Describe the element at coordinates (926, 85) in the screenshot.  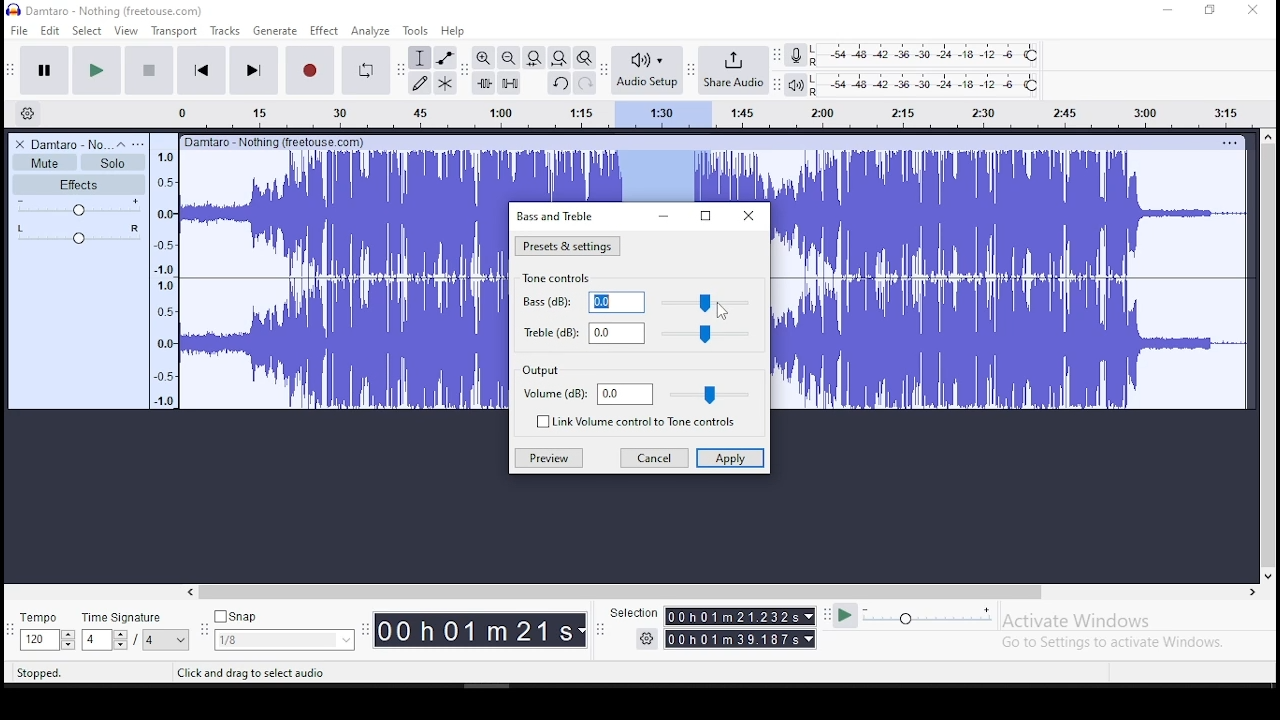
I see `playback level` at that location.